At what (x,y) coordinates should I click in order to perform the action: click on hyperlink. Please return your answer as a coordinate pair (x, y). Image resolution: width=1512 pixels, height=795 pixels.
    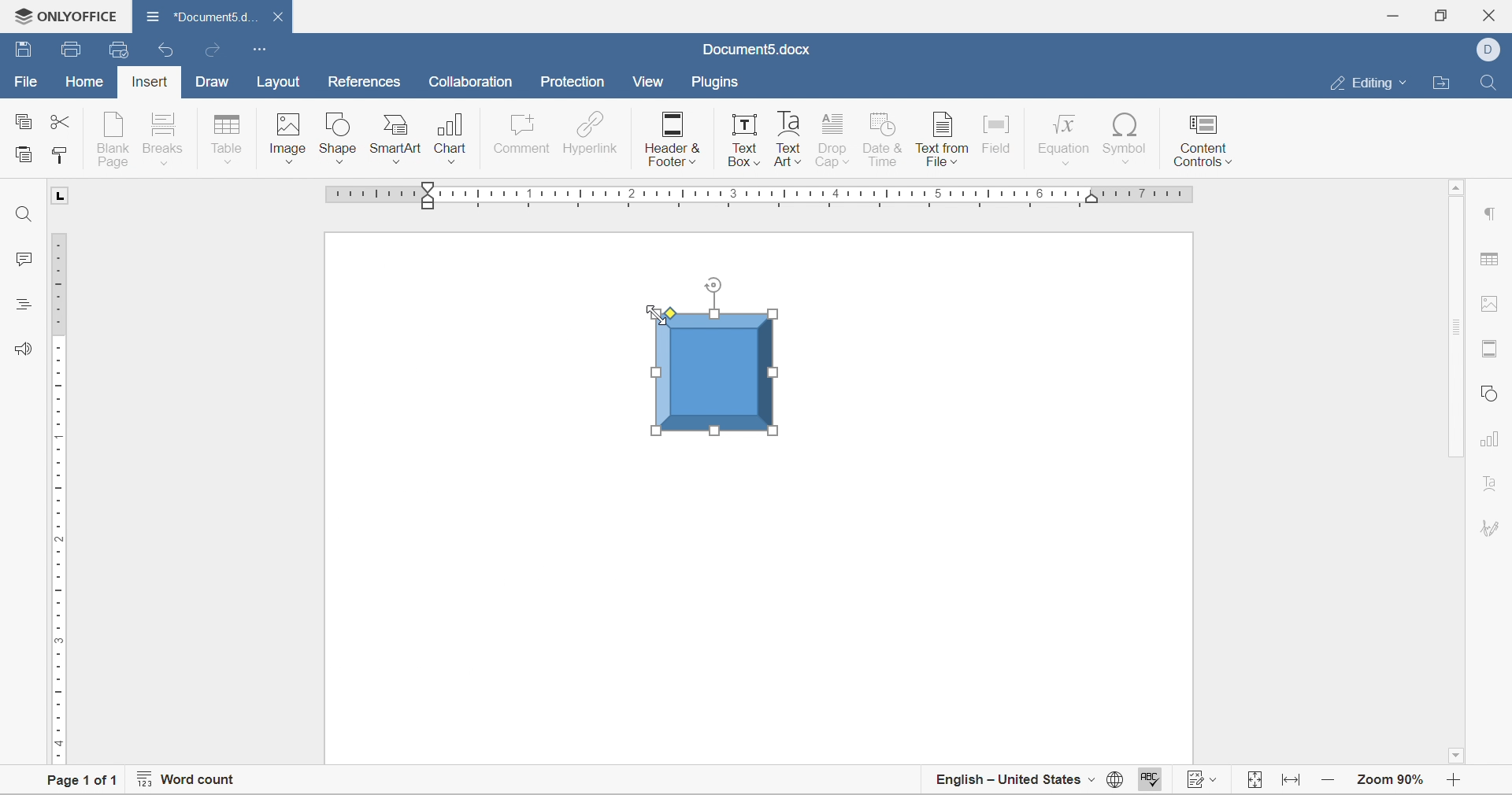
    Looking at the image, I should click on (591, 131).